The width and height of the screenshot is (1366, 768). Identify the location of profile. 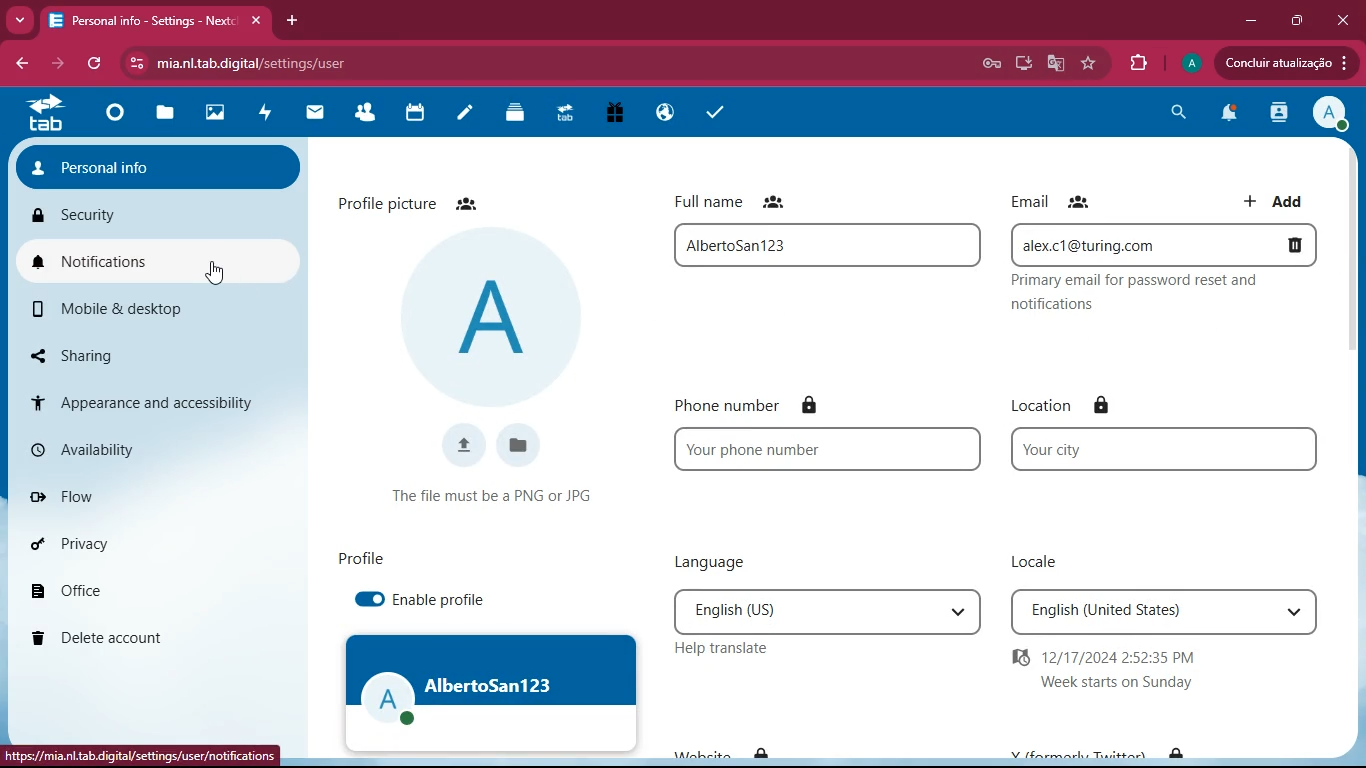
(1192, 63).